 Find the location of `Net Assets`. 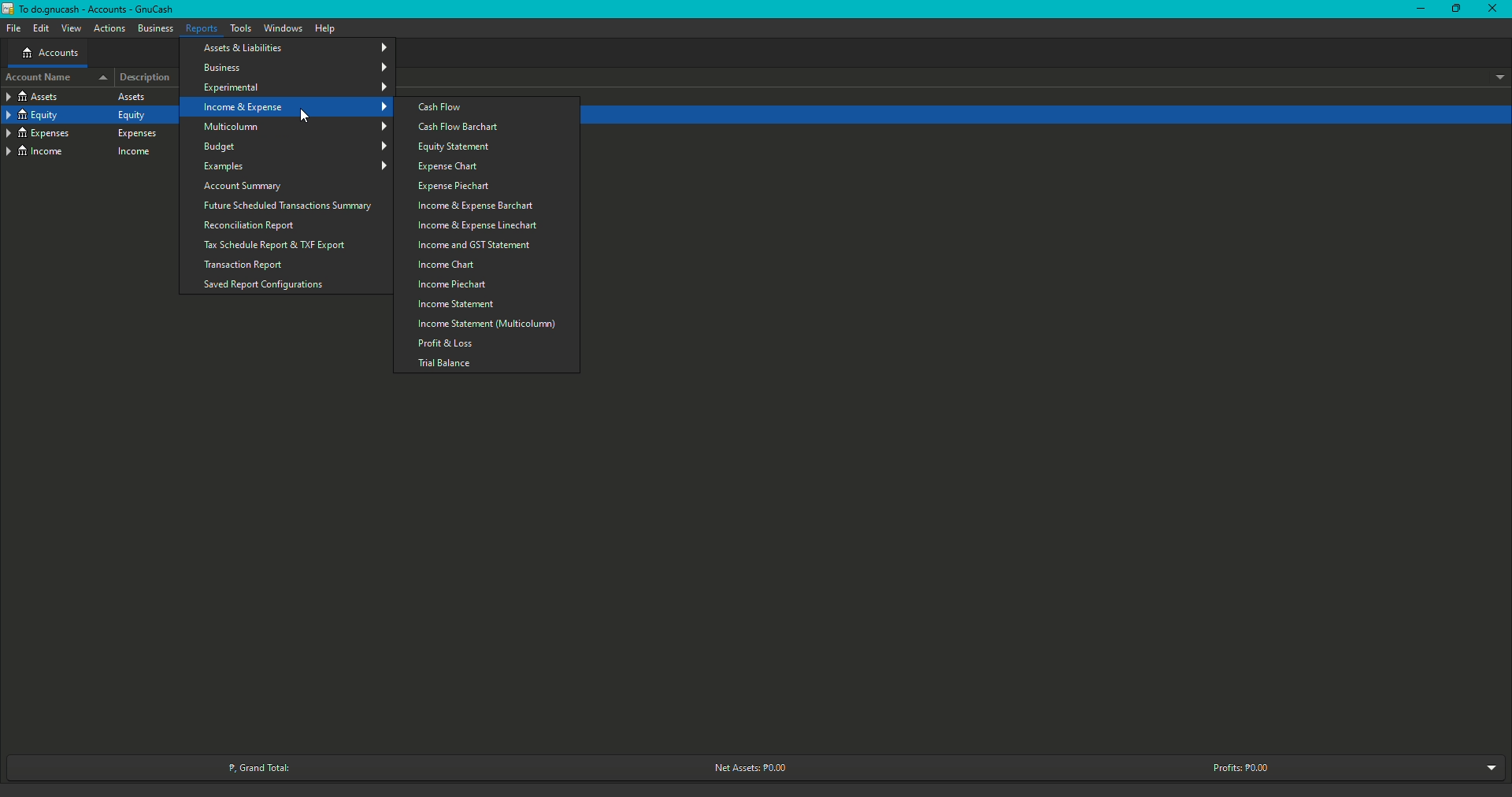

Net Assets is located at coordinates (753, 768).